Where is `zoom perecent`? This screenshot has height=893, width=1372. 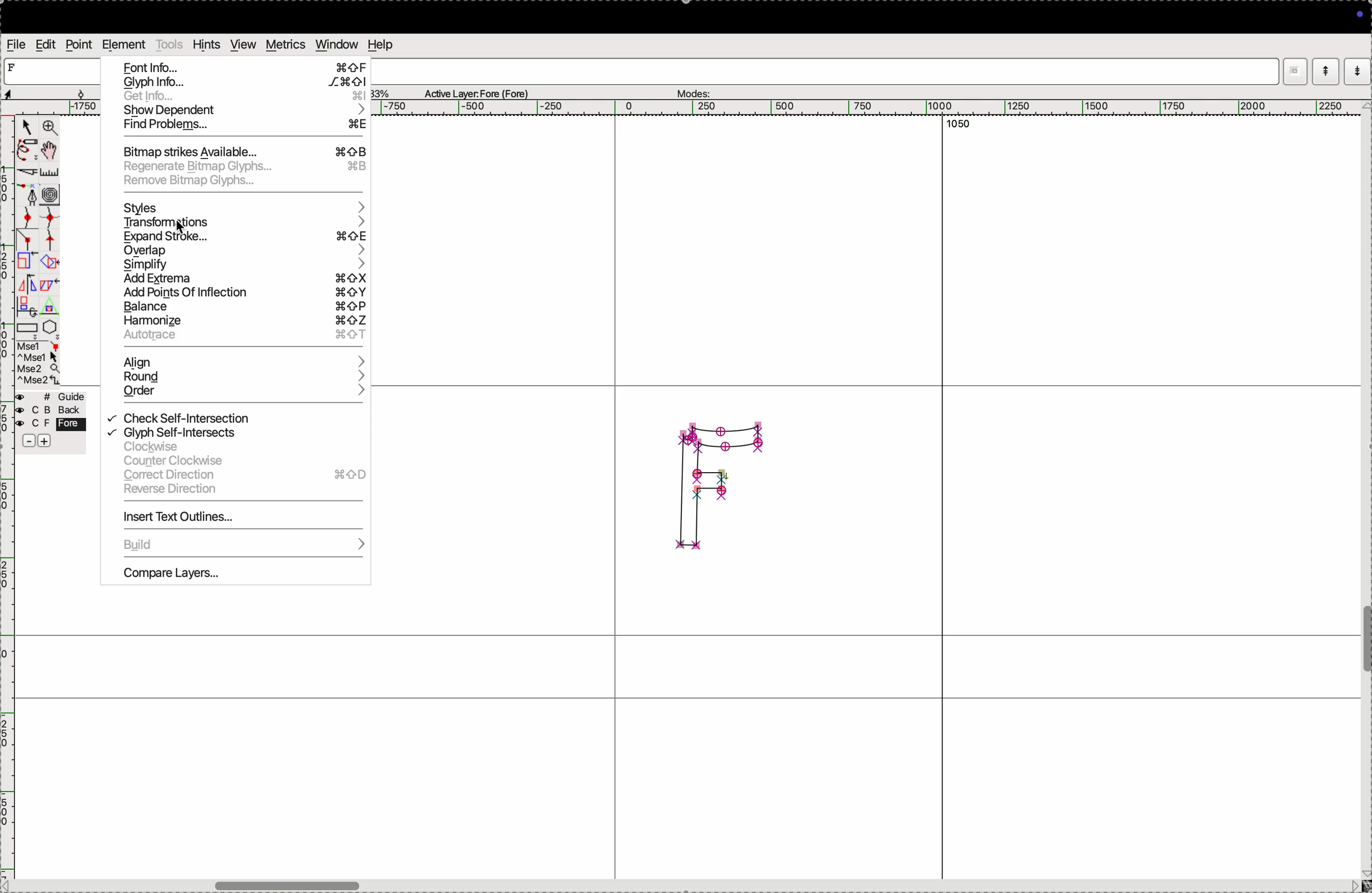 zoom perecent is located at coordinates (381, 92).